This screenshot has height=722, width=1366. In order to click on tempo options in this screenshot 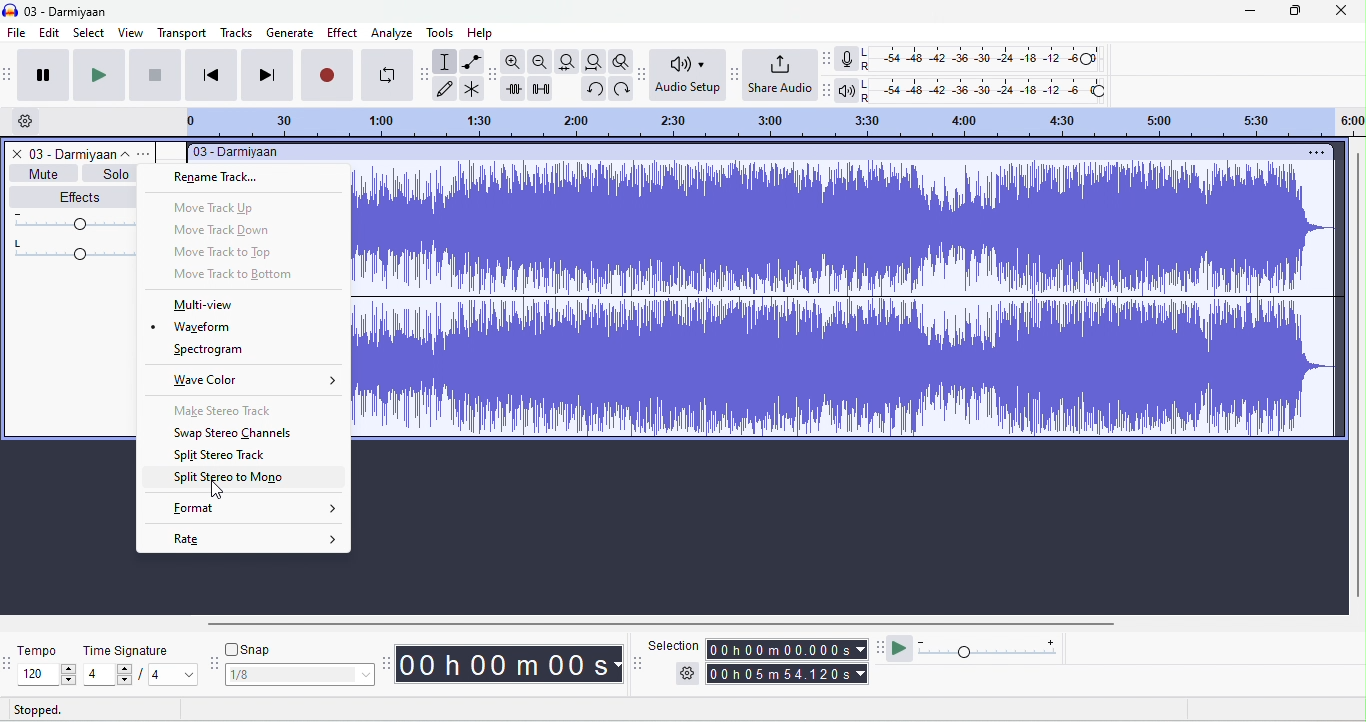, I will do `click(9, 663)`.